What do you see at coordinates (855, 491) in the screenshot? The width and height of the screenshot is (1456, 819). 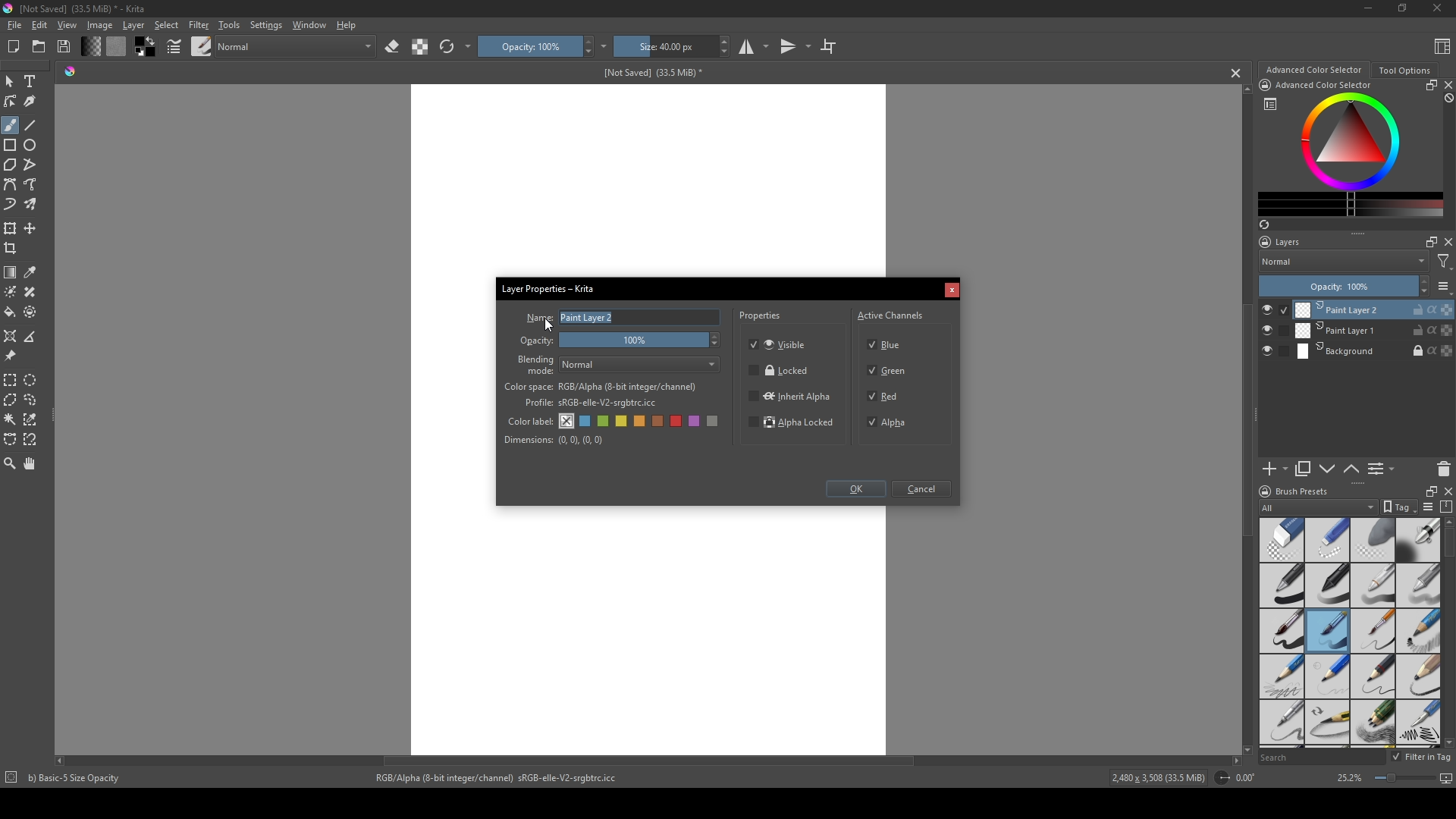 I see `OK` at bounding box center [855, 491].